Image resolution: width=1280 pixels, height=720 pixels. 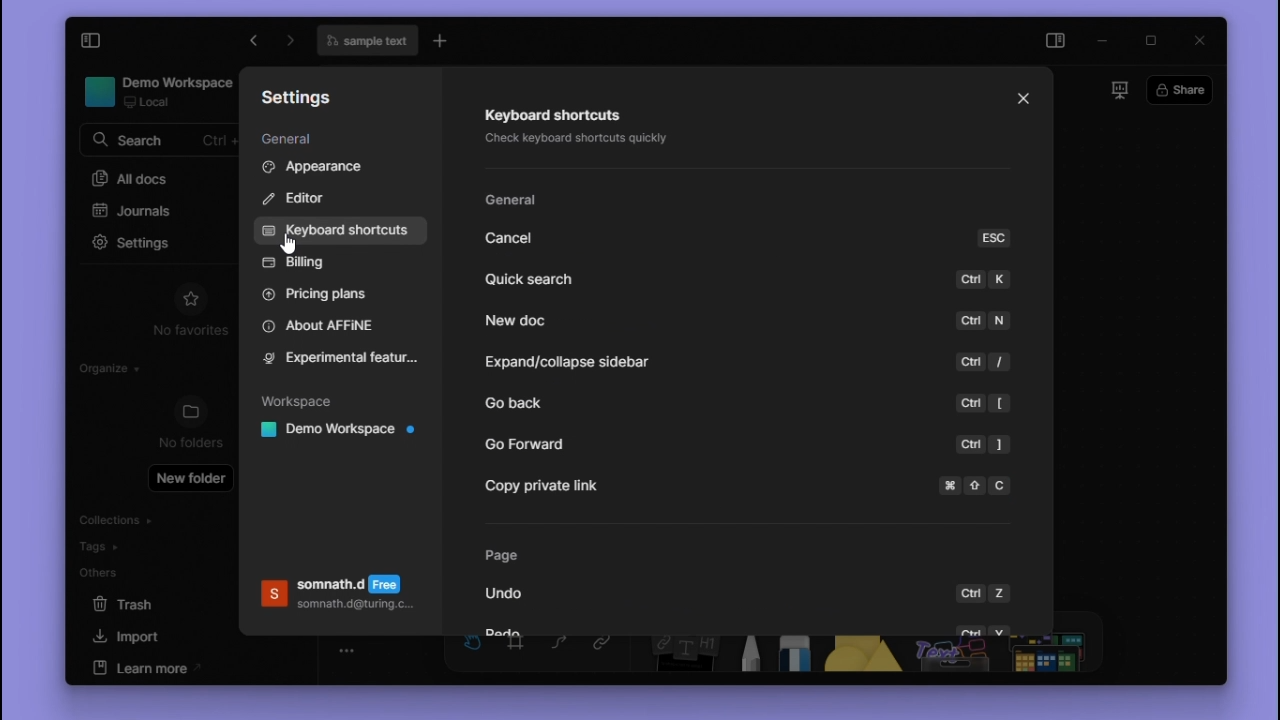 What do you see at coordinates (293, 43) in the screenshot?
I see `go backward` at bounding box center [293, 43].